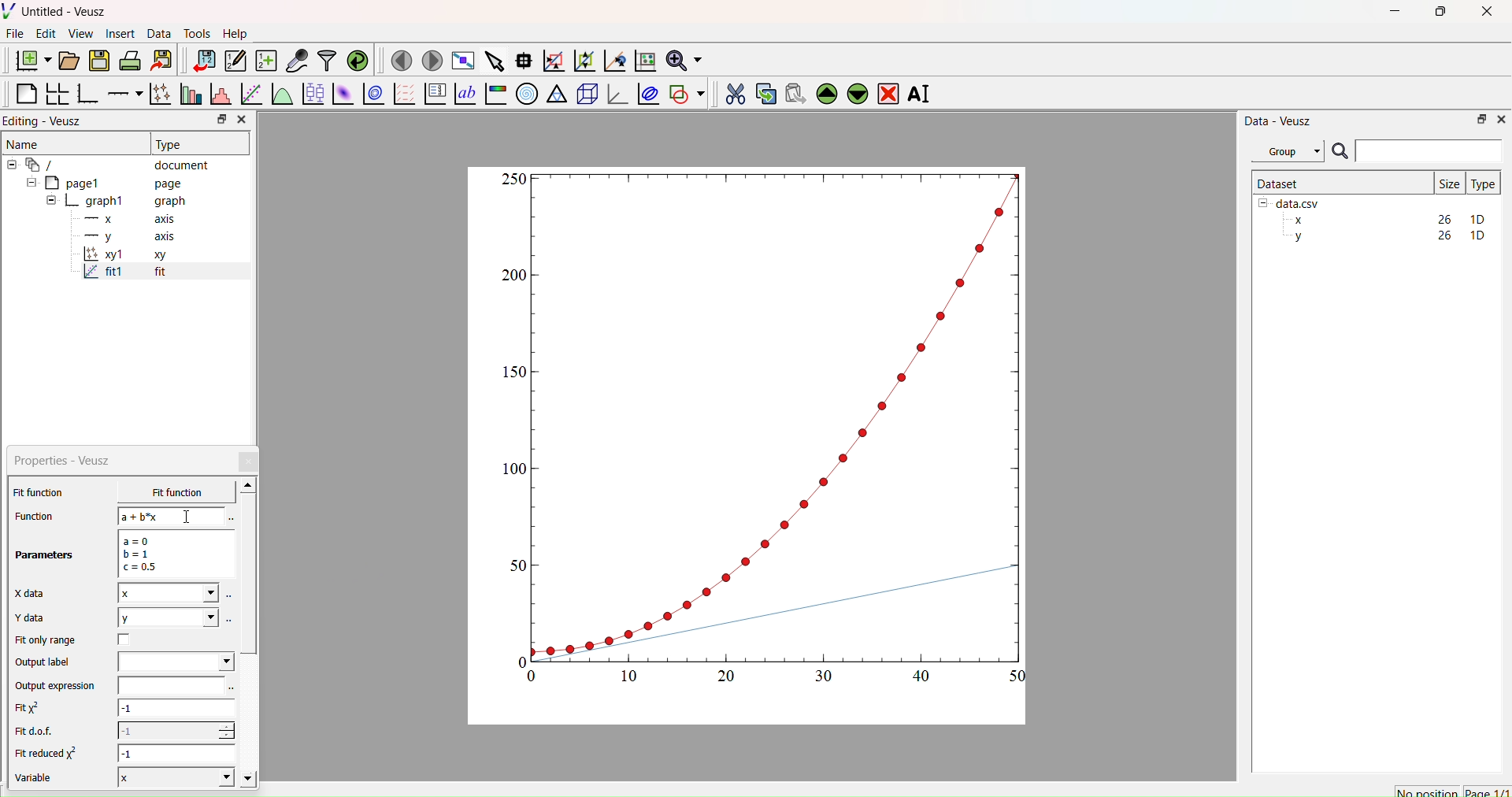 This screenshot has height=797, width=1512. What do you see at coordinates (558, 93) in the screenshot?
I see `Ternary graph` at bounding box center [558, 93].